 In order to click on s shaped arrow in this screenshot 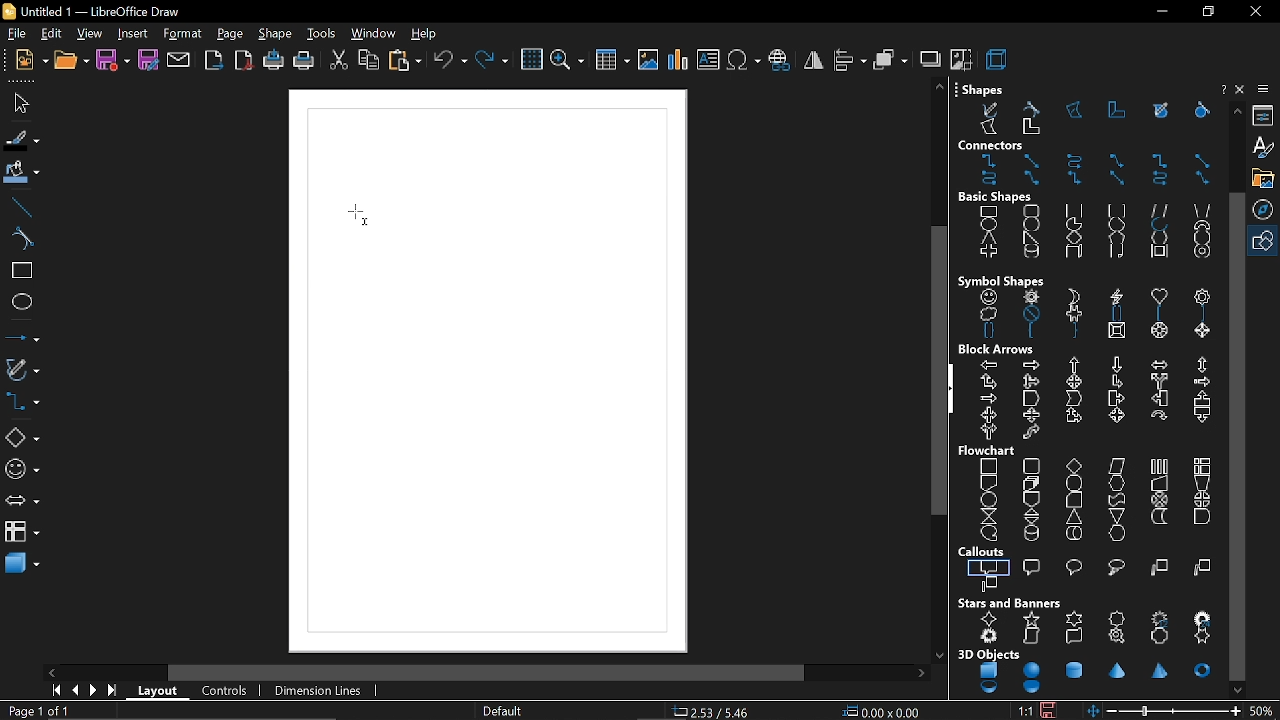, I will do `click(1032, 434)`.